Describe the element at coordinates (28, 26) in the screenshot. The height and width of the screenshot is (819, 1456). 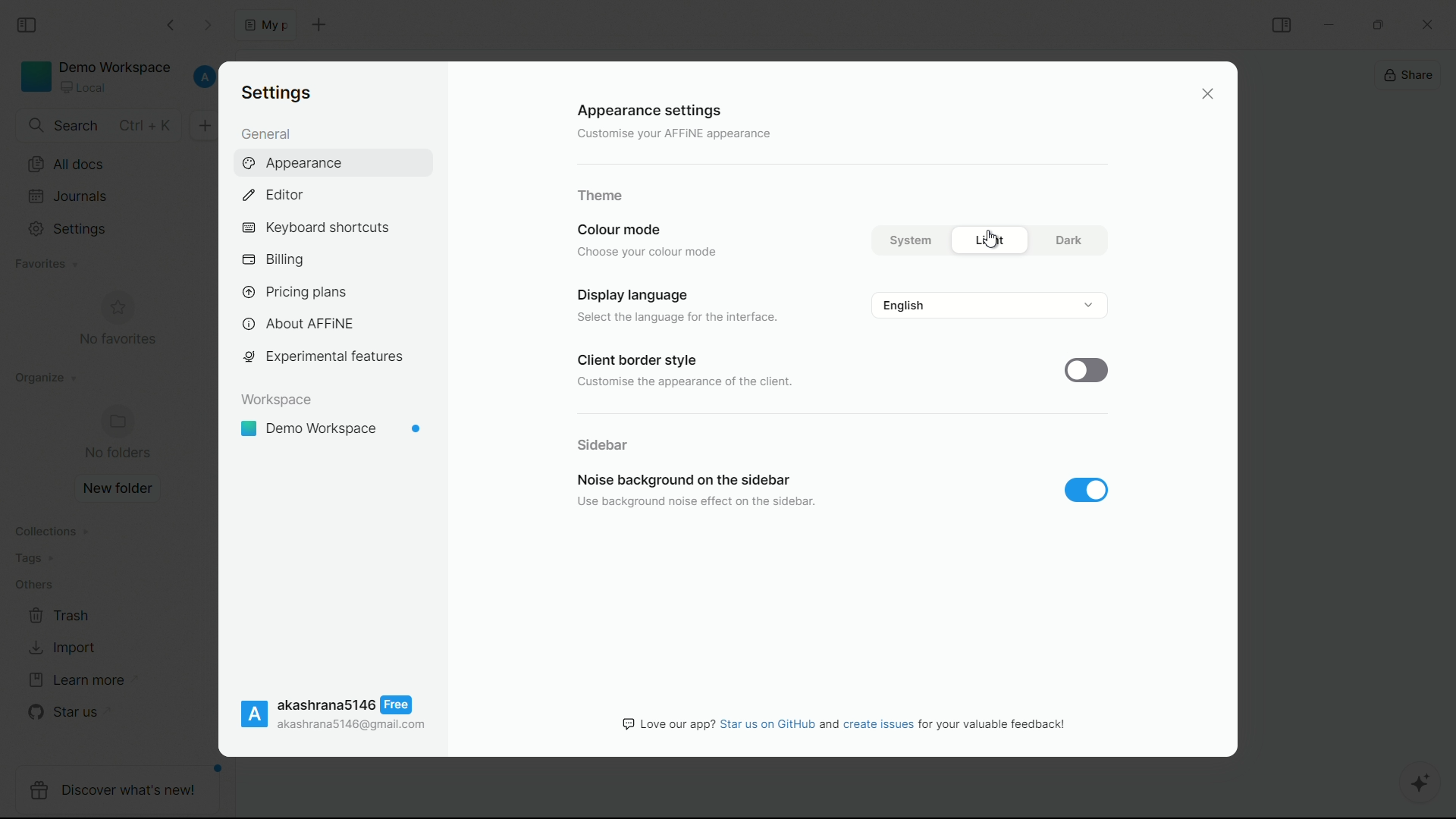
I see `toggle sidebar` at that location.